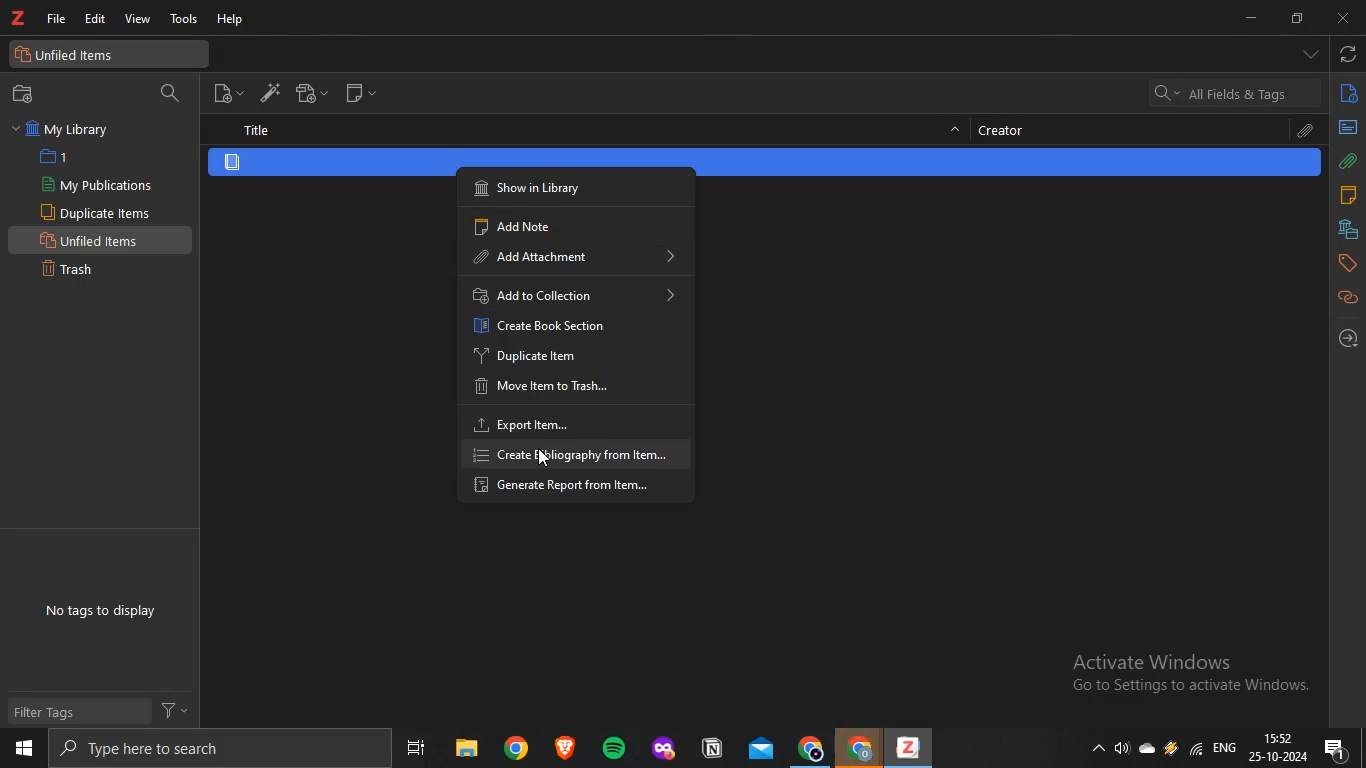 The width and height of the screenshot is (1366, 768). Describe the element at coordinates (95, 20) in the screenshot. I see `edit` at that location.